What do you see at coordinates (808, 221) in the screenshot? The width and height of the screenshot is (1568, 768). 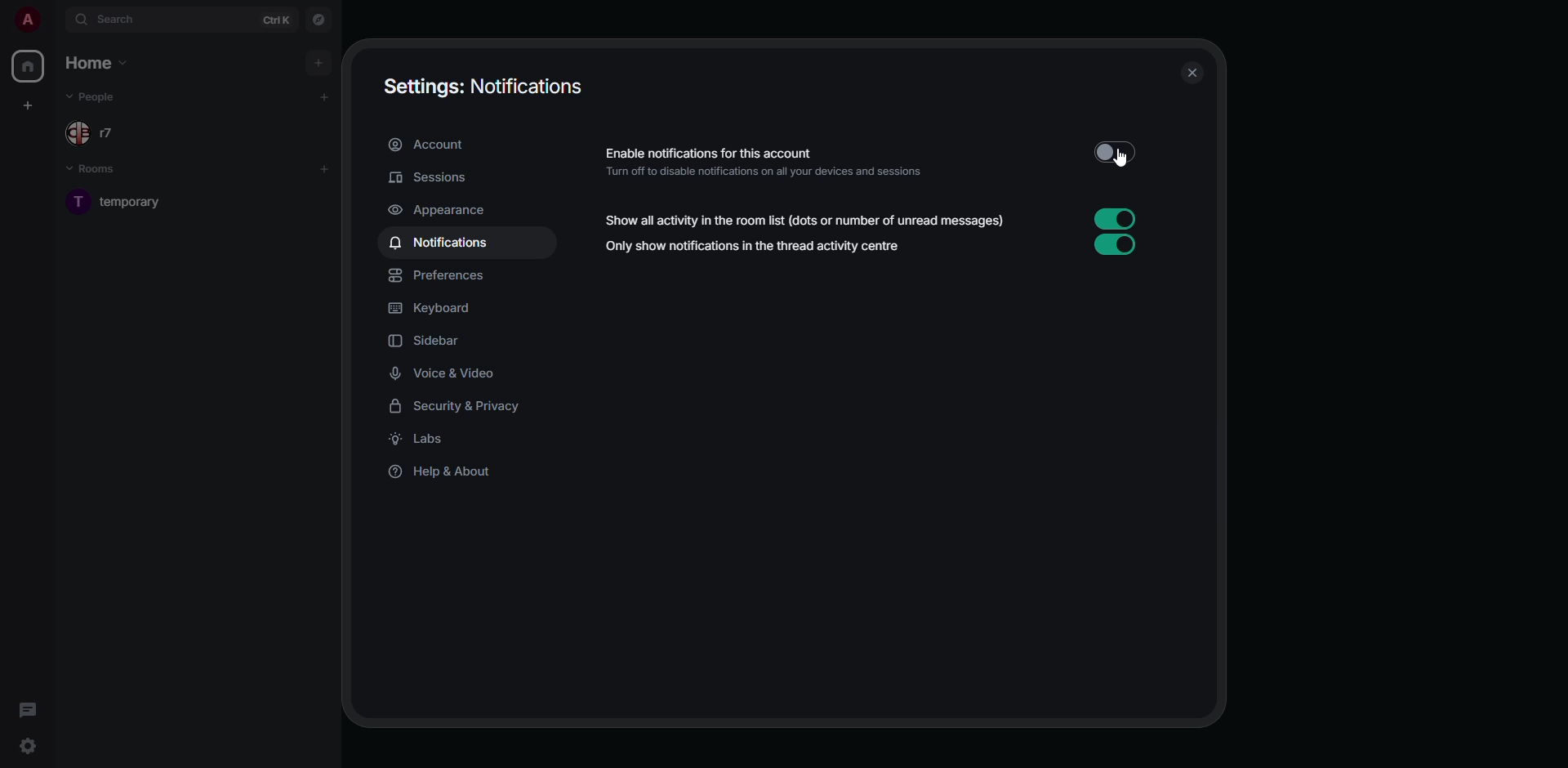 I see `show all activity in room list` at bounding box center [808, 221].